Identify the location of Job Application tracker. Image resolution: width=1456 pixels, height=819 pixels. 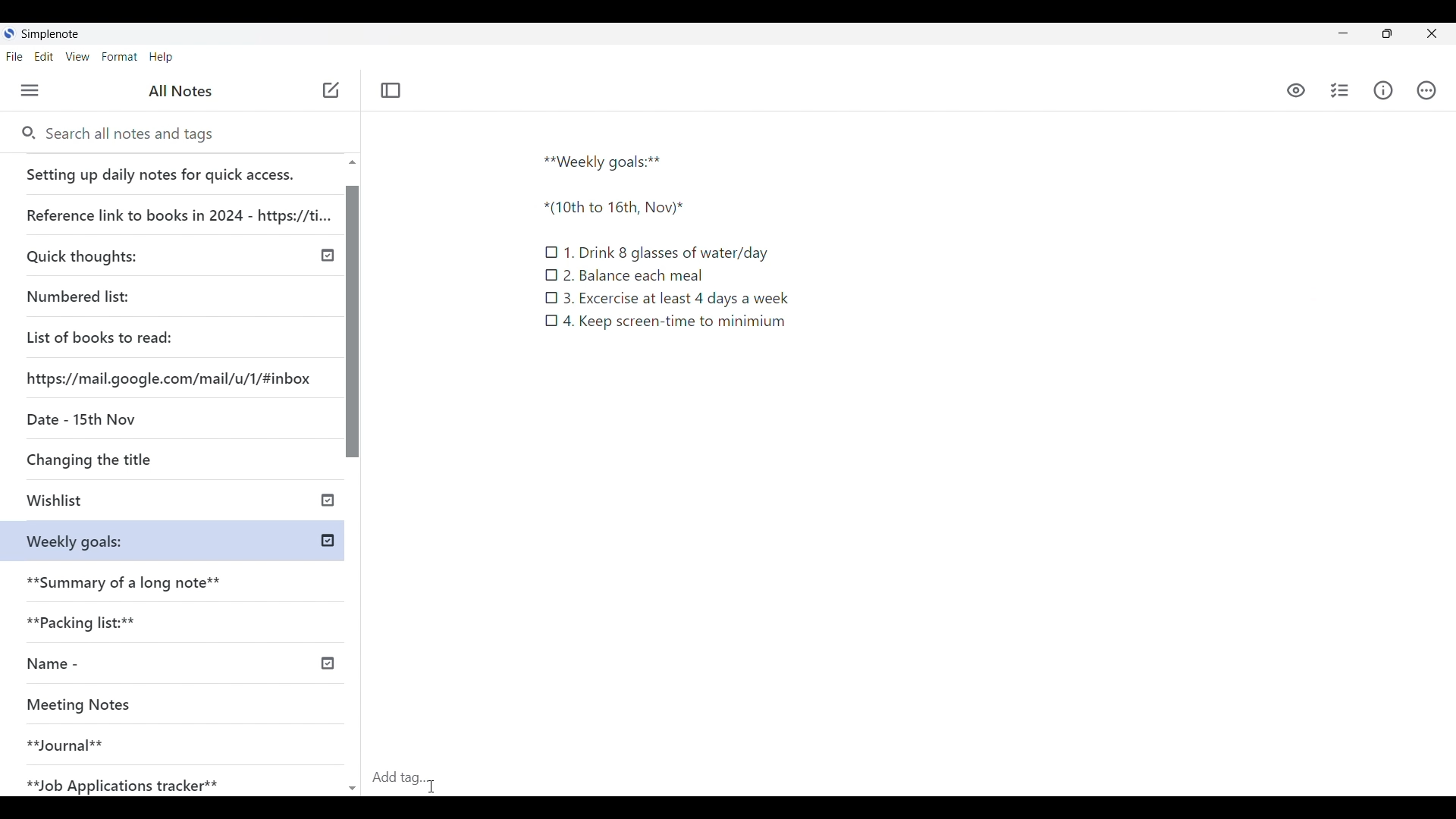
(130, 782).